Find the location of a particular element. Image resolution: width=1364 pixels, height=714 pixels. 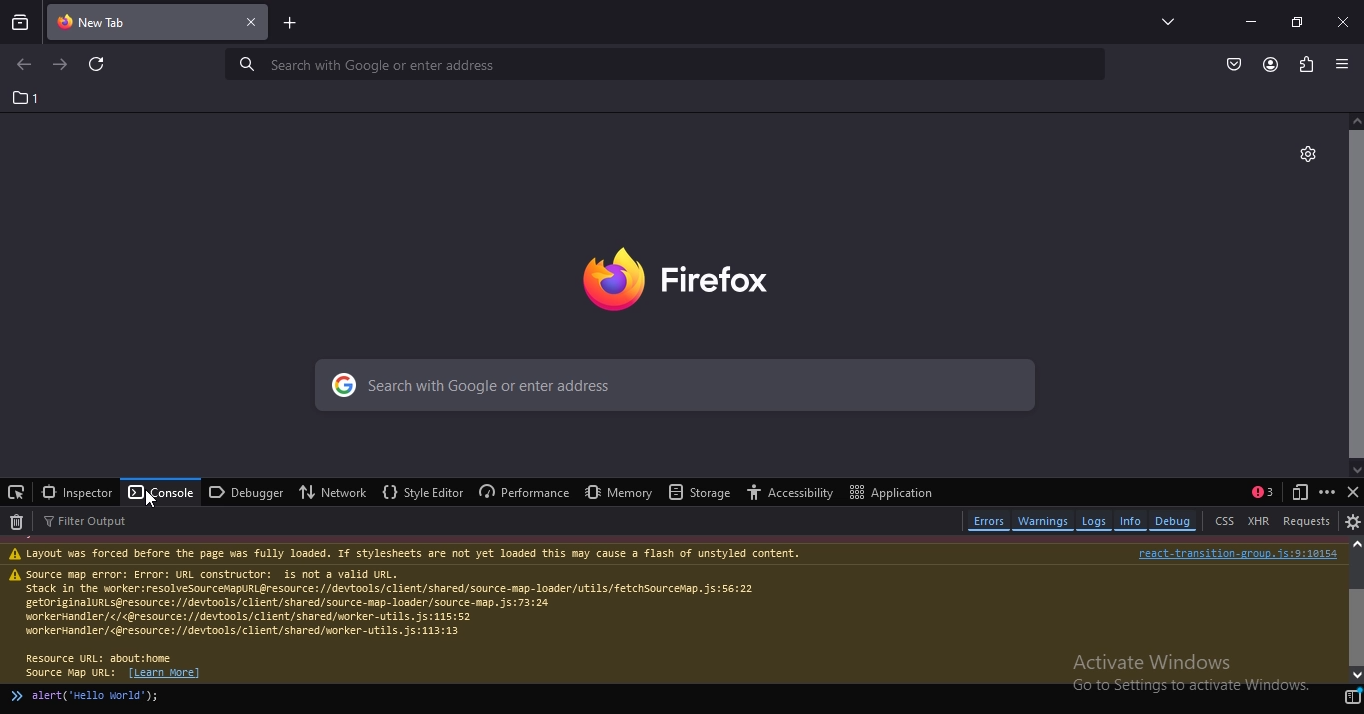

warnings is located at coordinates (1043, 523).